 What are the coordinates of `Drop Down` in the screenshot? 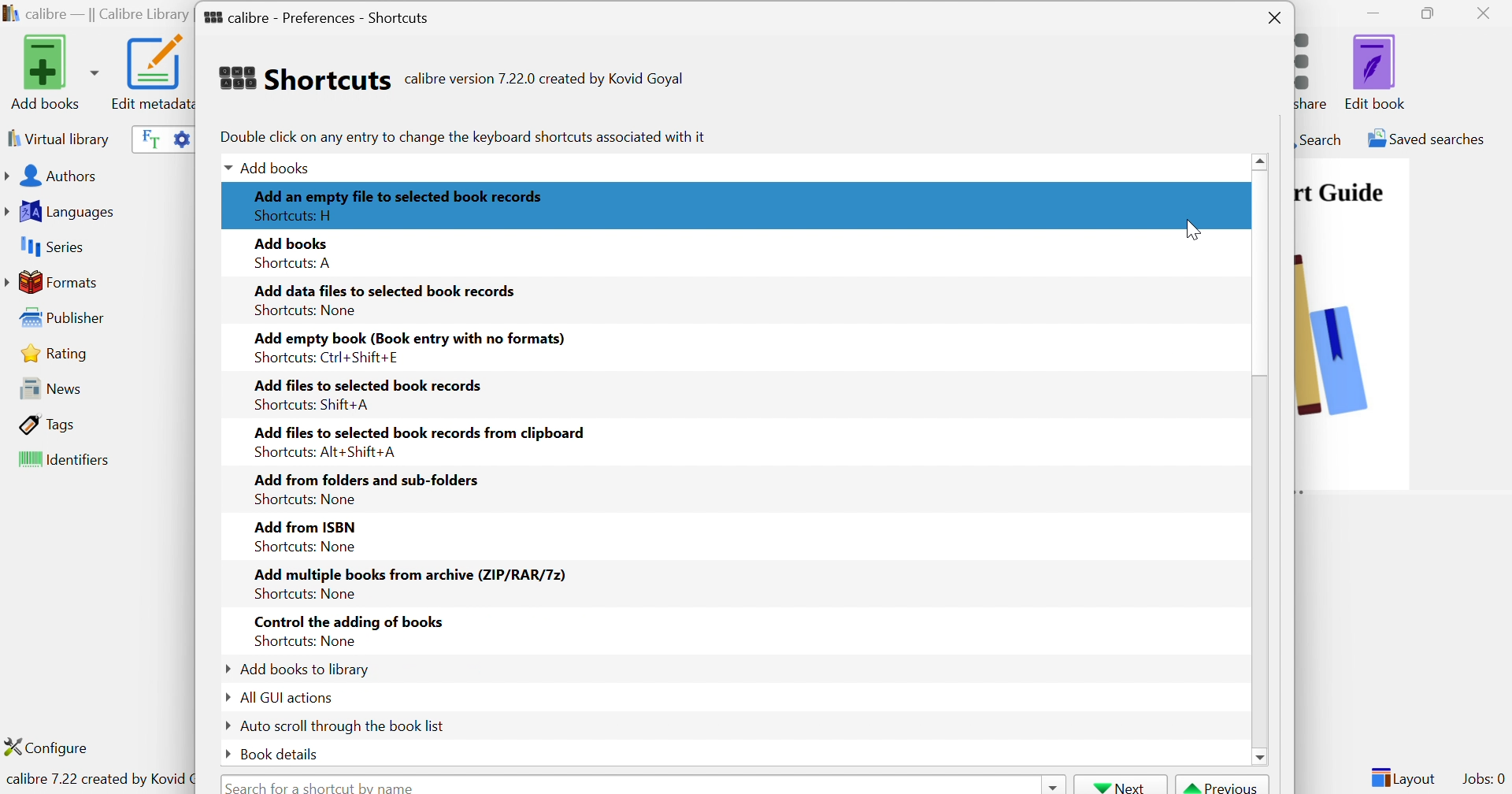 It's located at (222, 755).